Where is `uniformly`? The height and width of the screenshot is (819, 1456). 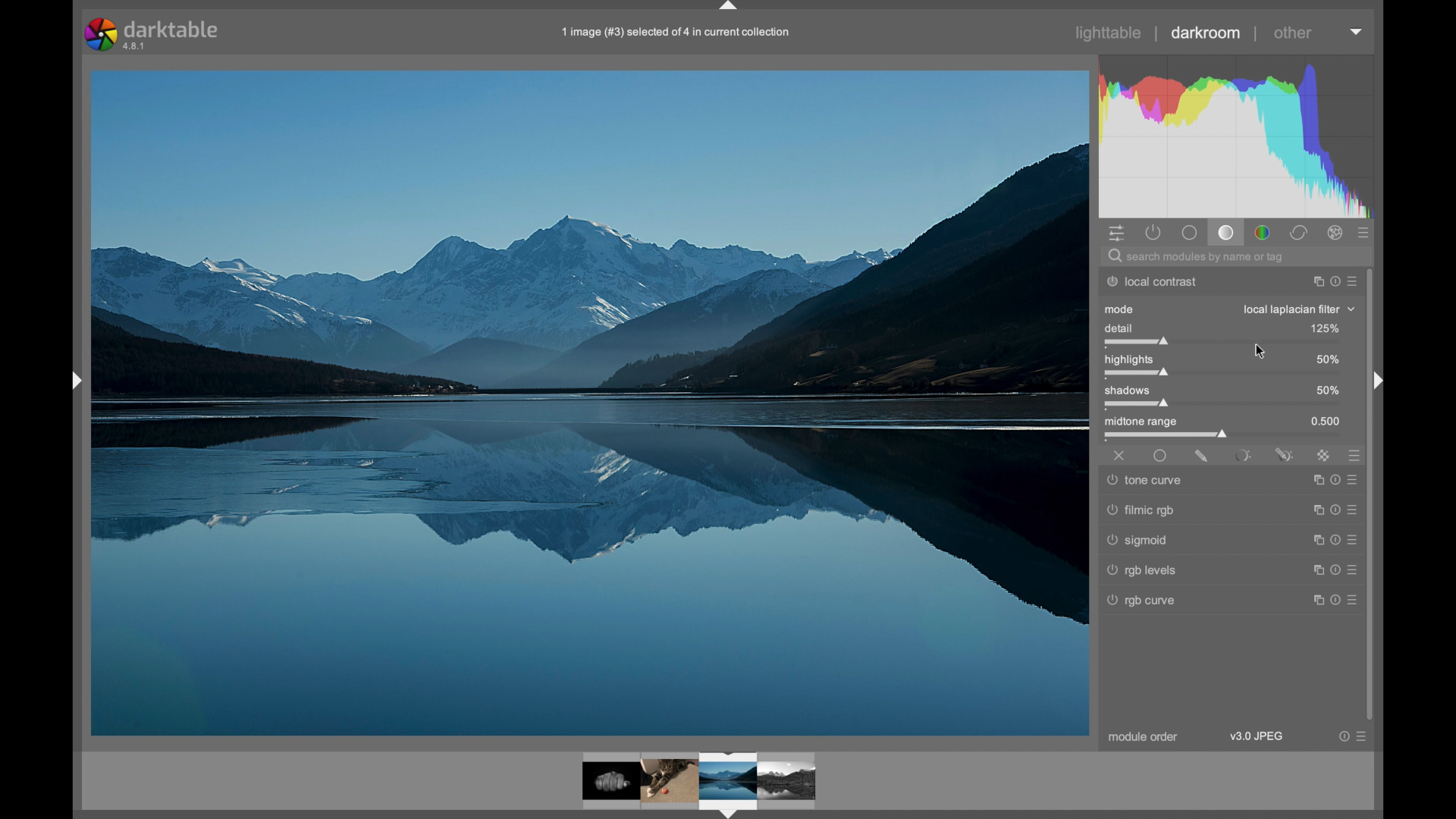
uniformly is located at coordinates (1160, 456).